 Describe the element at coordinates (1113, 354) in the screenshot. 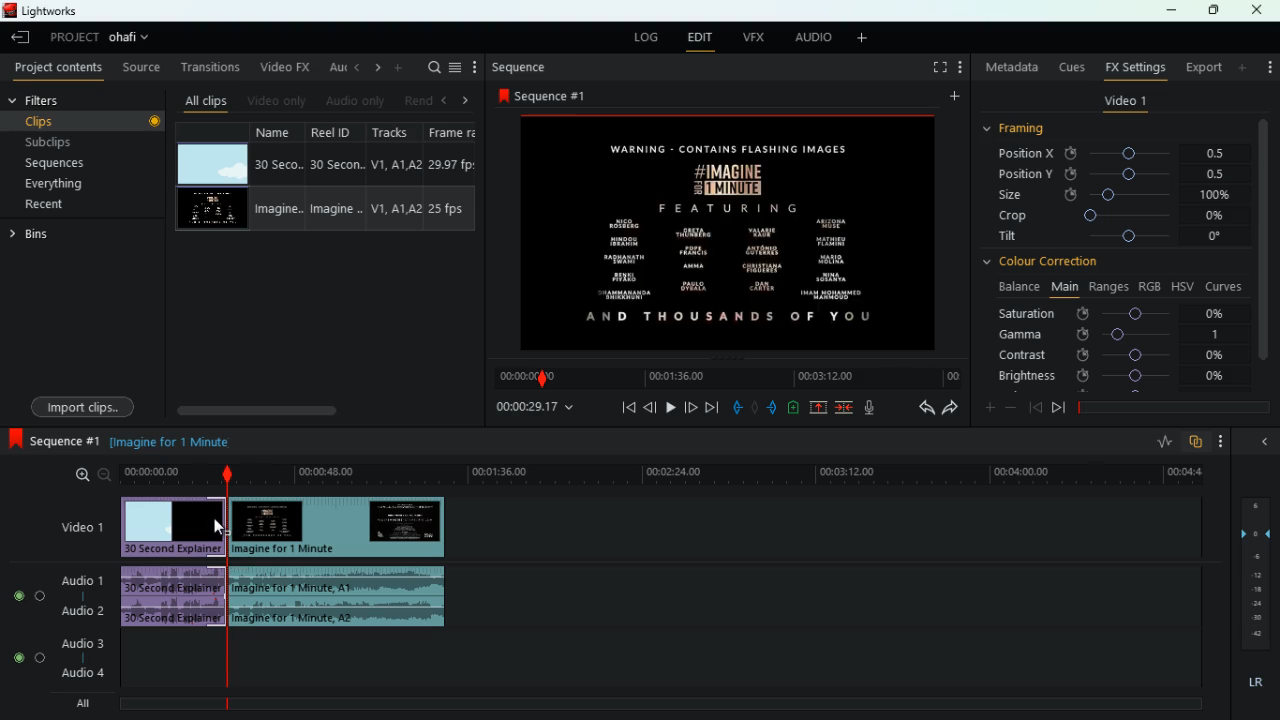

I see `contrast` at that location.